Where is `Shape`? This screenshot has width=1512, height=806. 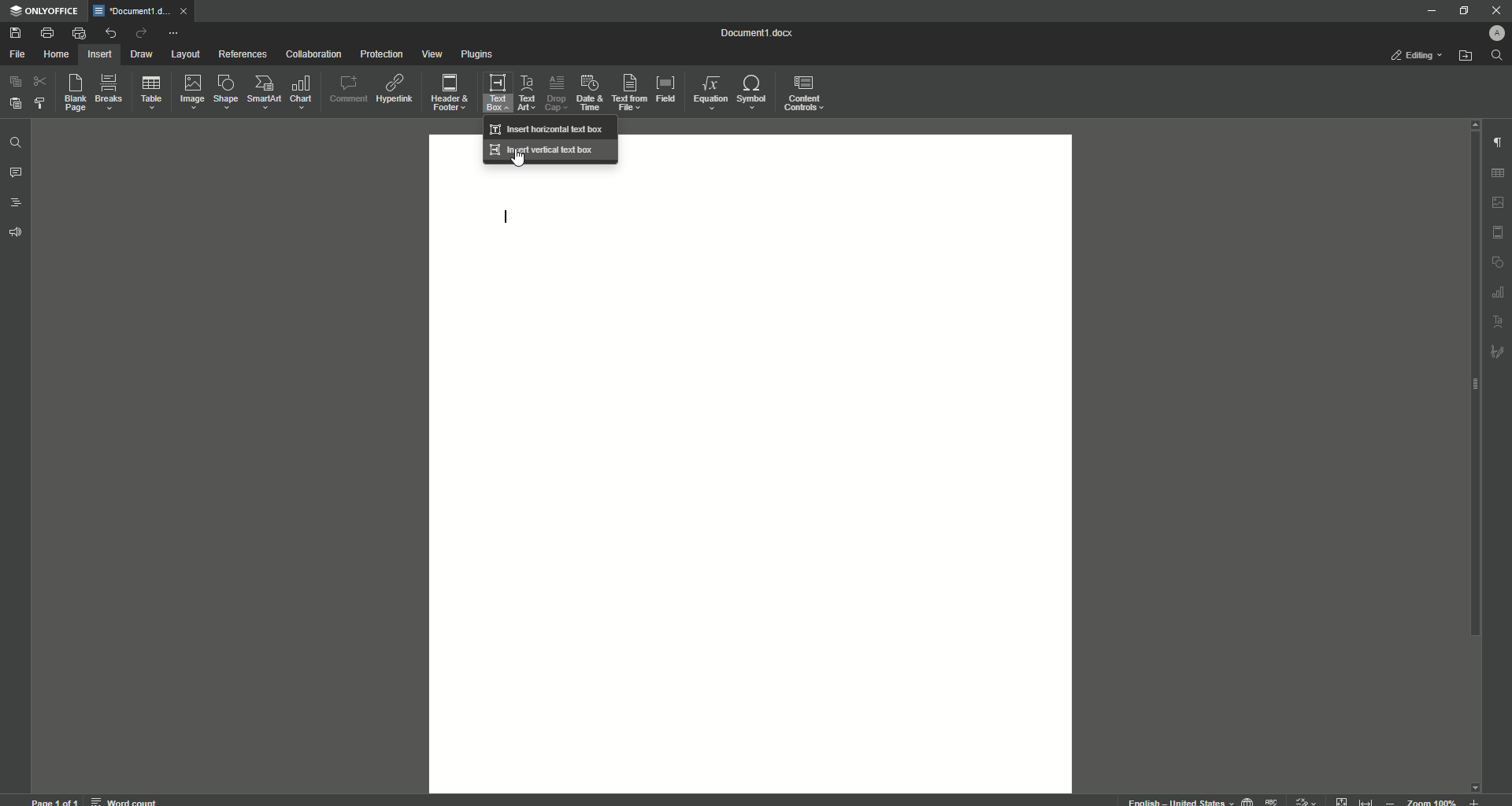
Shape is located at coordinates (224, 91).